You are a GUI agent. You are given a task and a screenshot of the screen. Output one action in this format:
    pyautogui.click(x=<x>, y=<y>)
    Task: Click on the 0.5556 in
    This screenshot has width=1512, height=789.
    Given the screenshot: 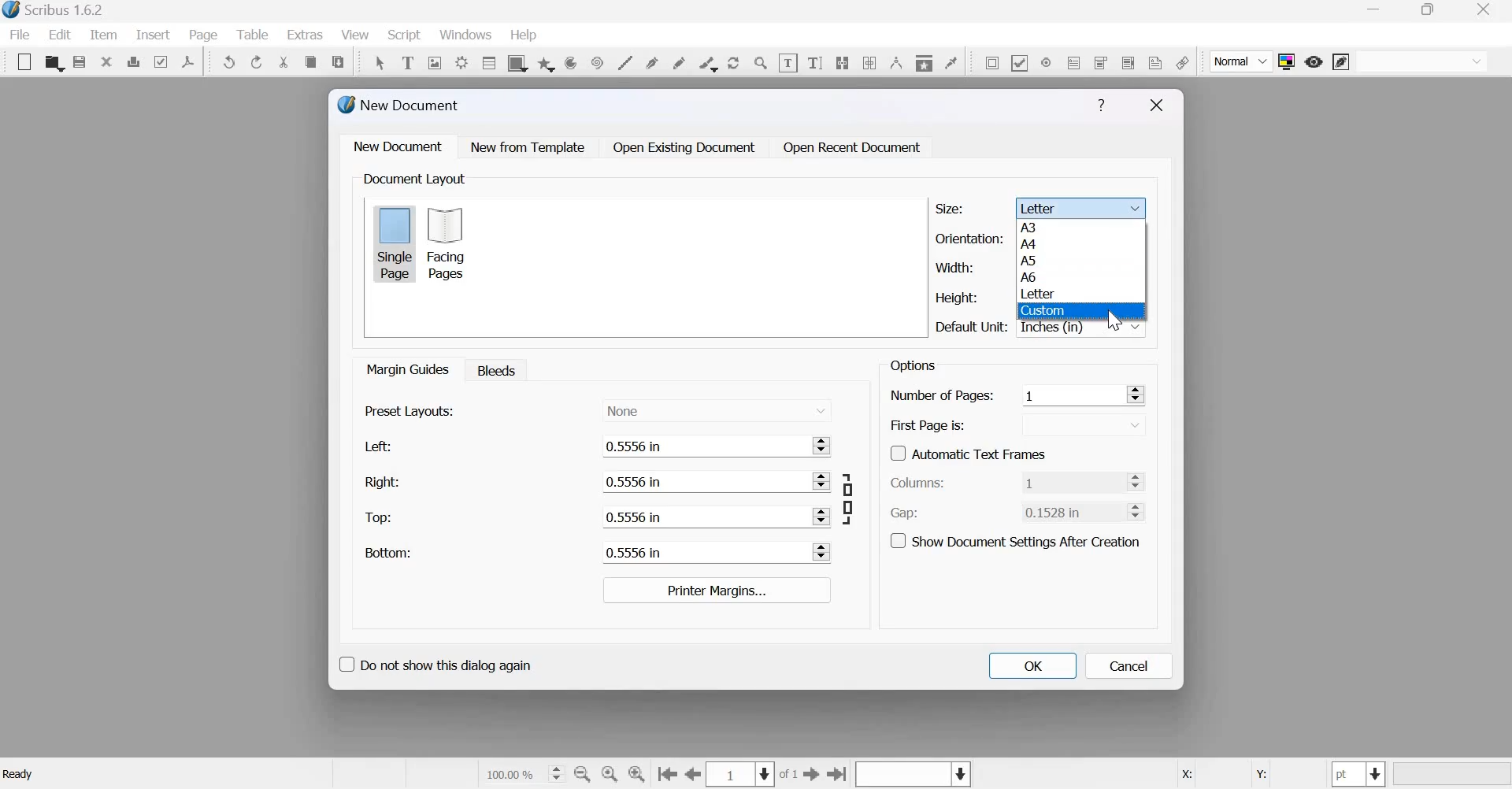 What is the action you would take?
    pyautogui.click(x=703, y=515)
    